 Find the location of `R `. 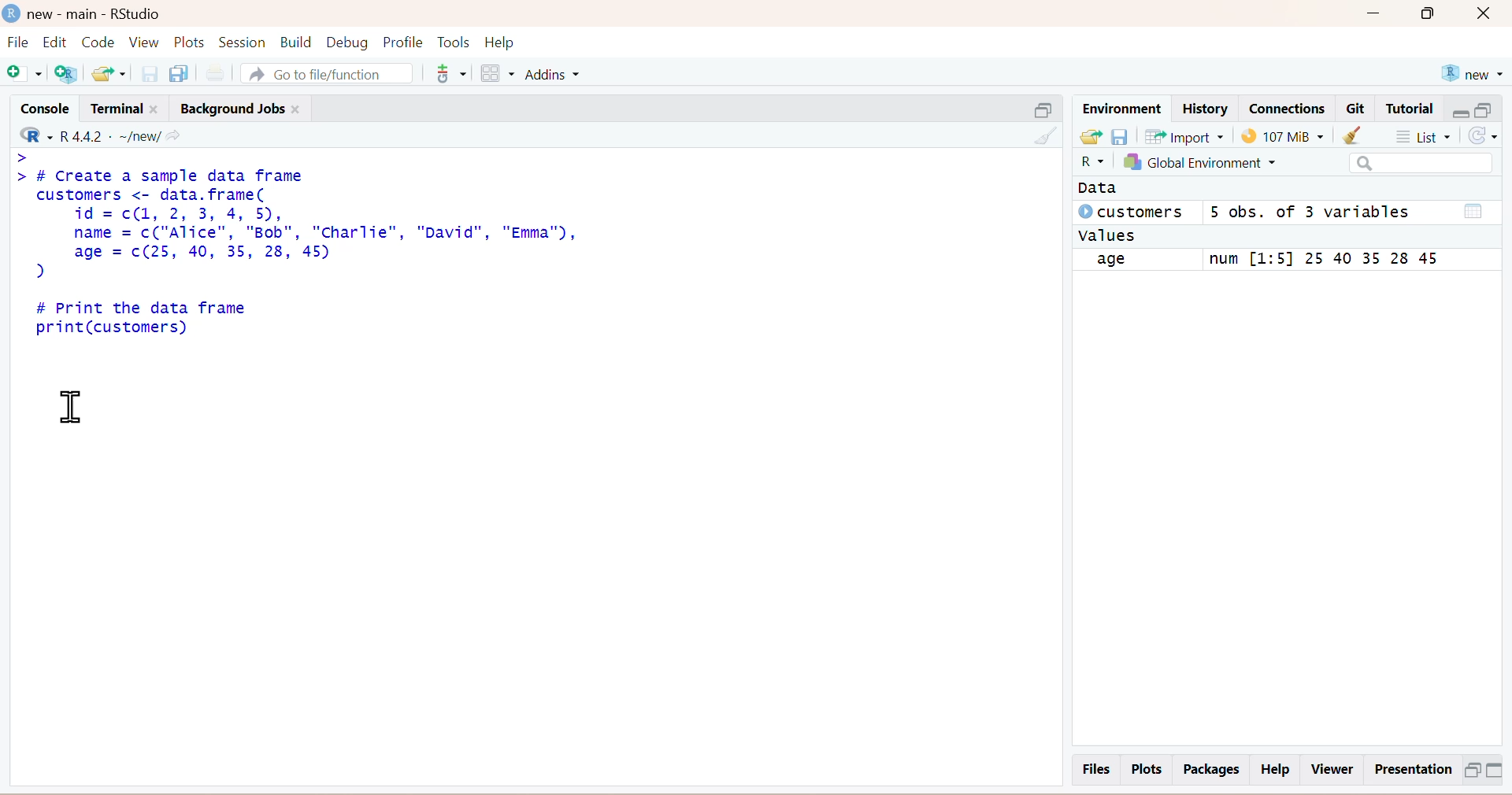

R  is located at coordinates (1086, 164).